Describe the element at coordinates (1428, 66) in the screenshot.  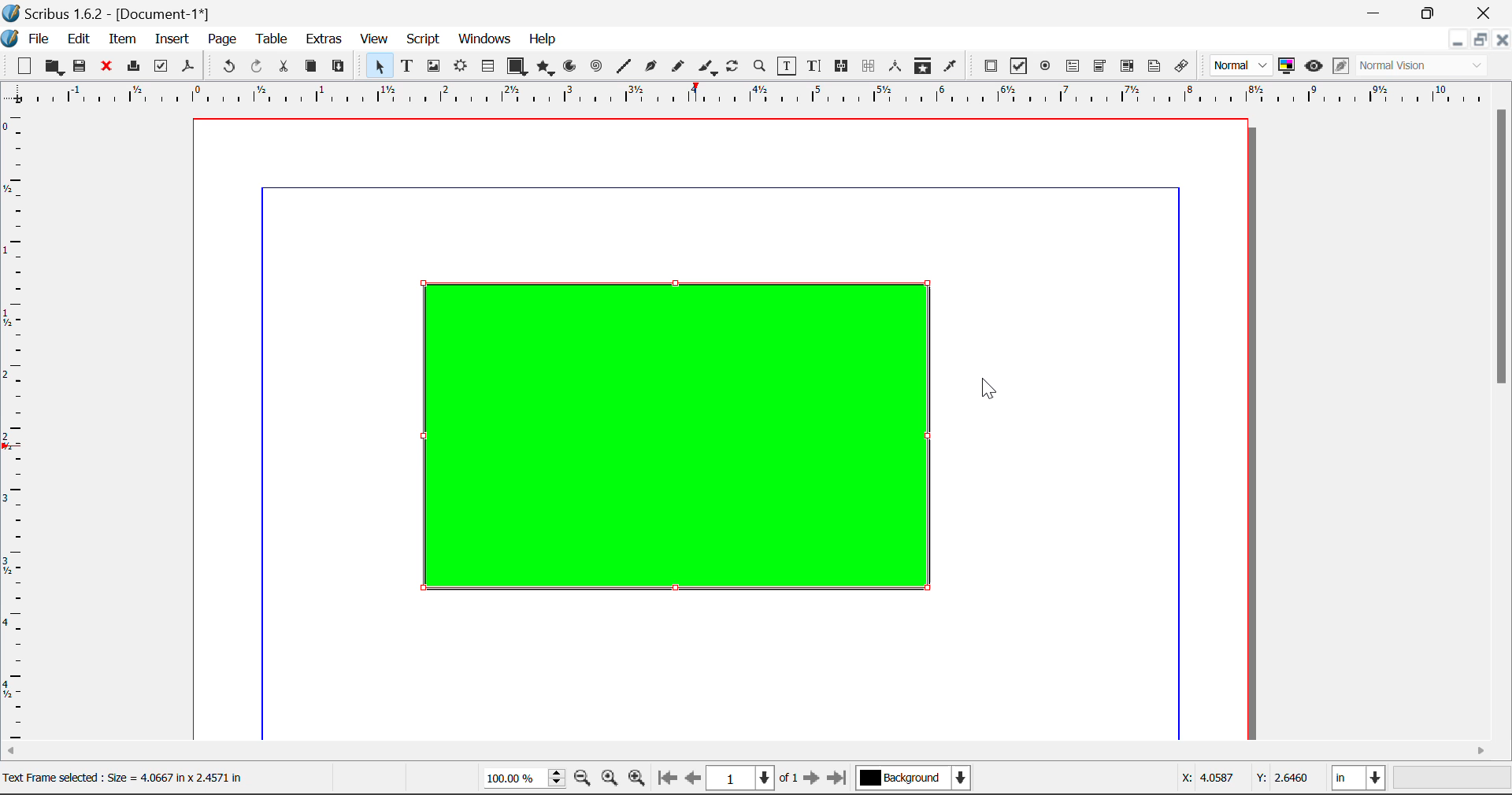
I see `Display Visual Appearance` at that location.